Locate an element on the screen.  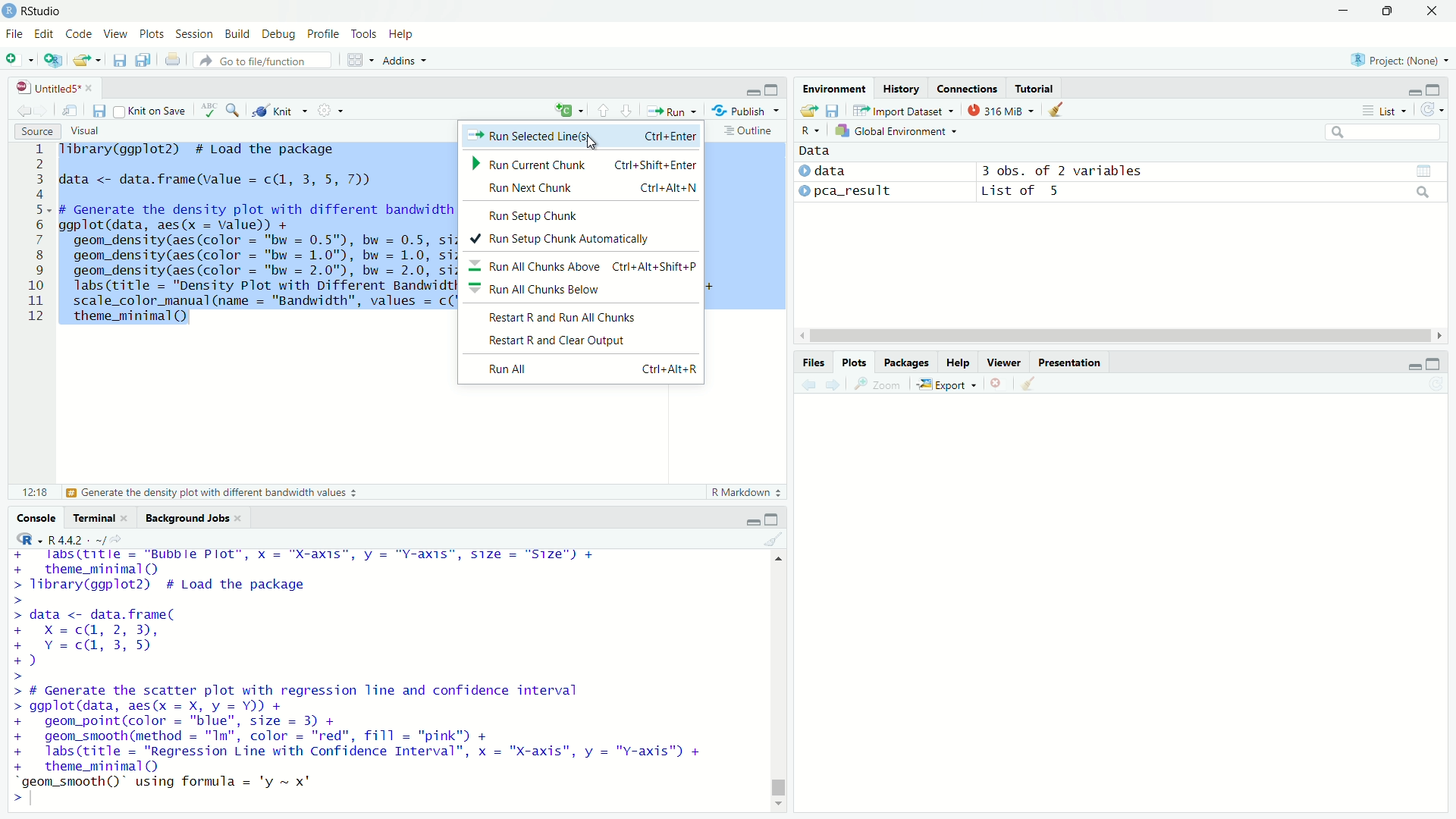
Global Environment is located at coordinates (897, 130).